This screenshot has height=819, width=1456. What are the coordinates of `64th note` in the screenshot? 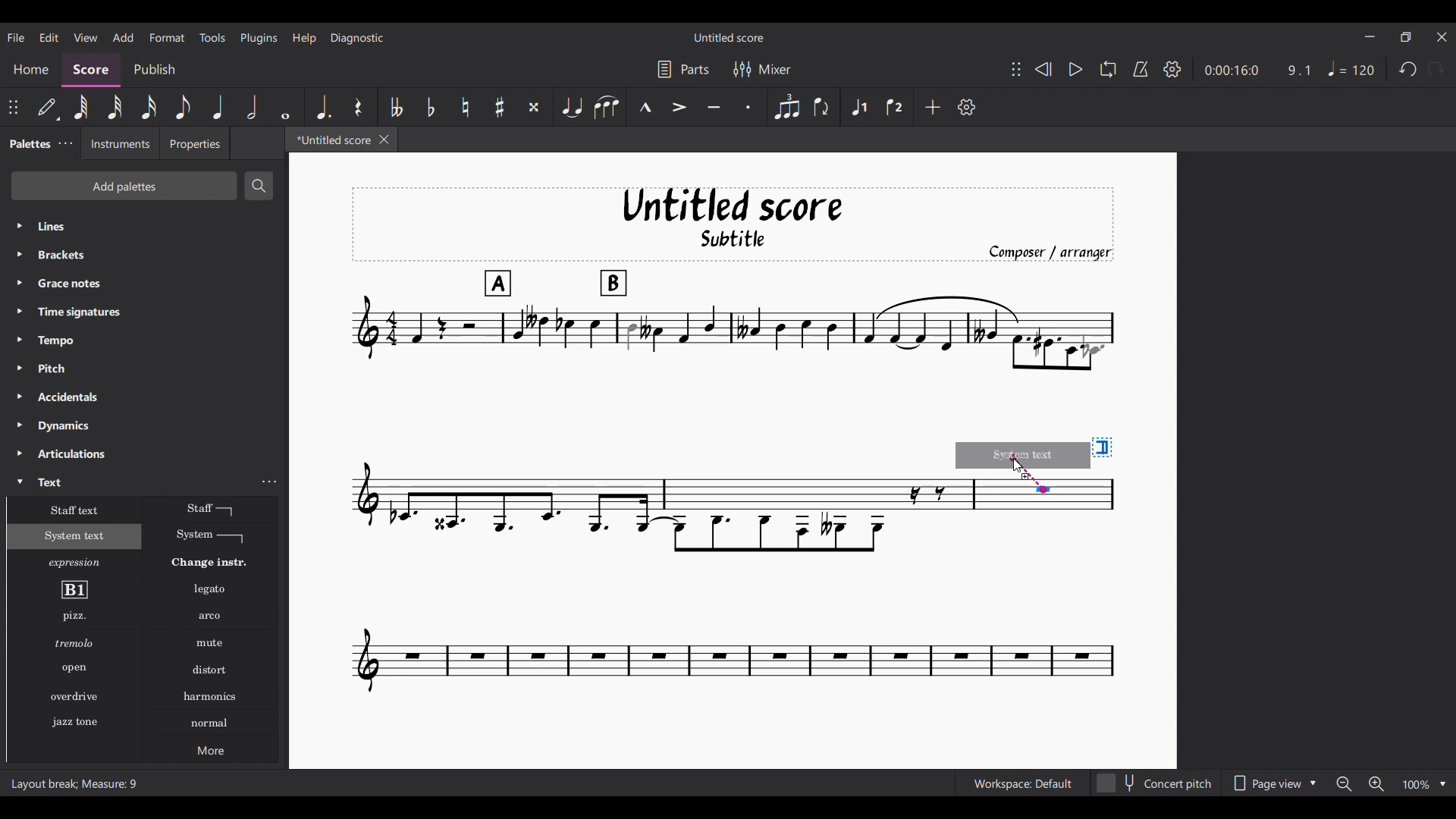 It's located at (81, 107).